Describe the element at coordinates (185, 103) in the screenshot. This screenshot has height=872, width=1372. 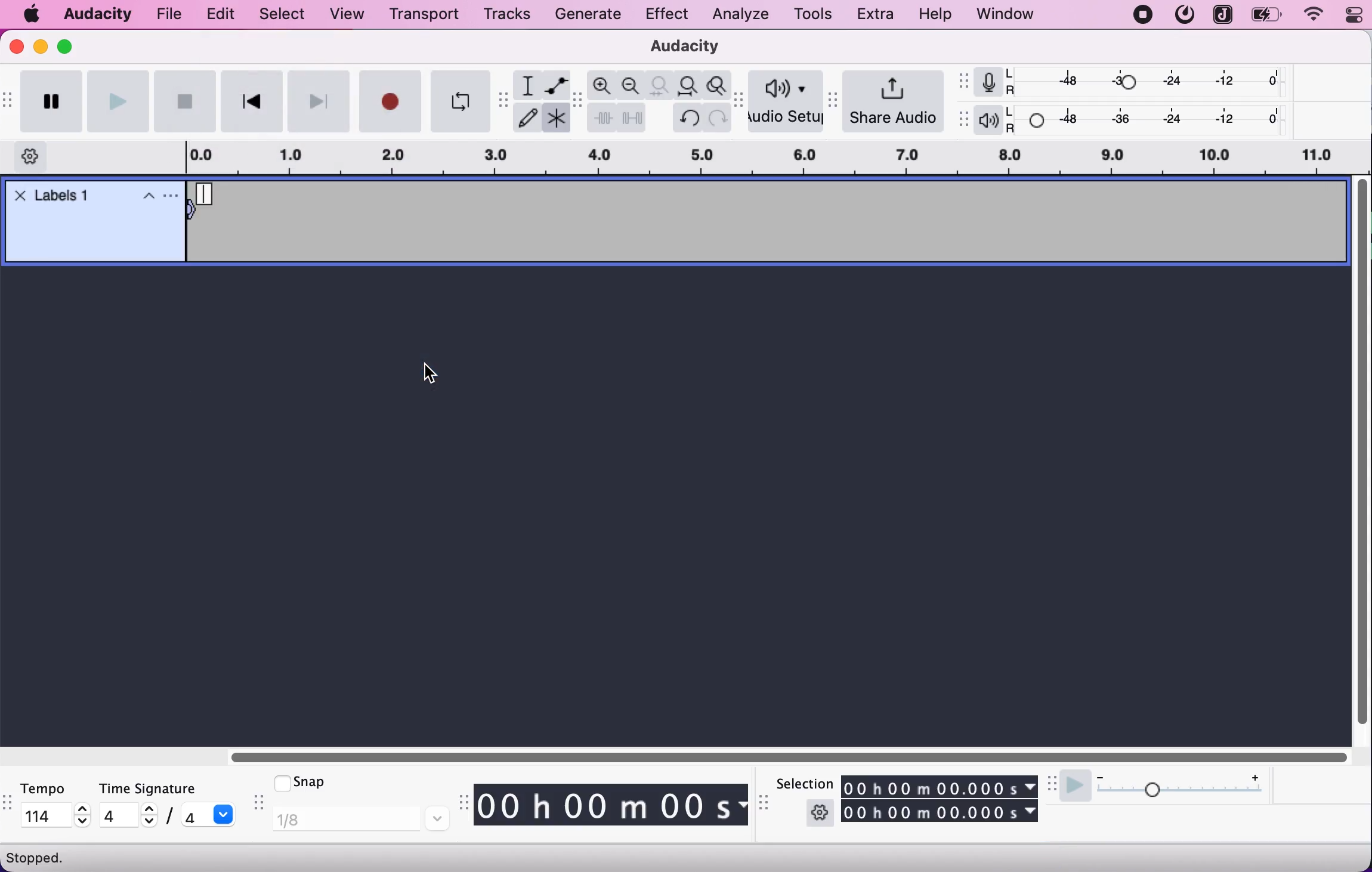
I see `stop` at that location.